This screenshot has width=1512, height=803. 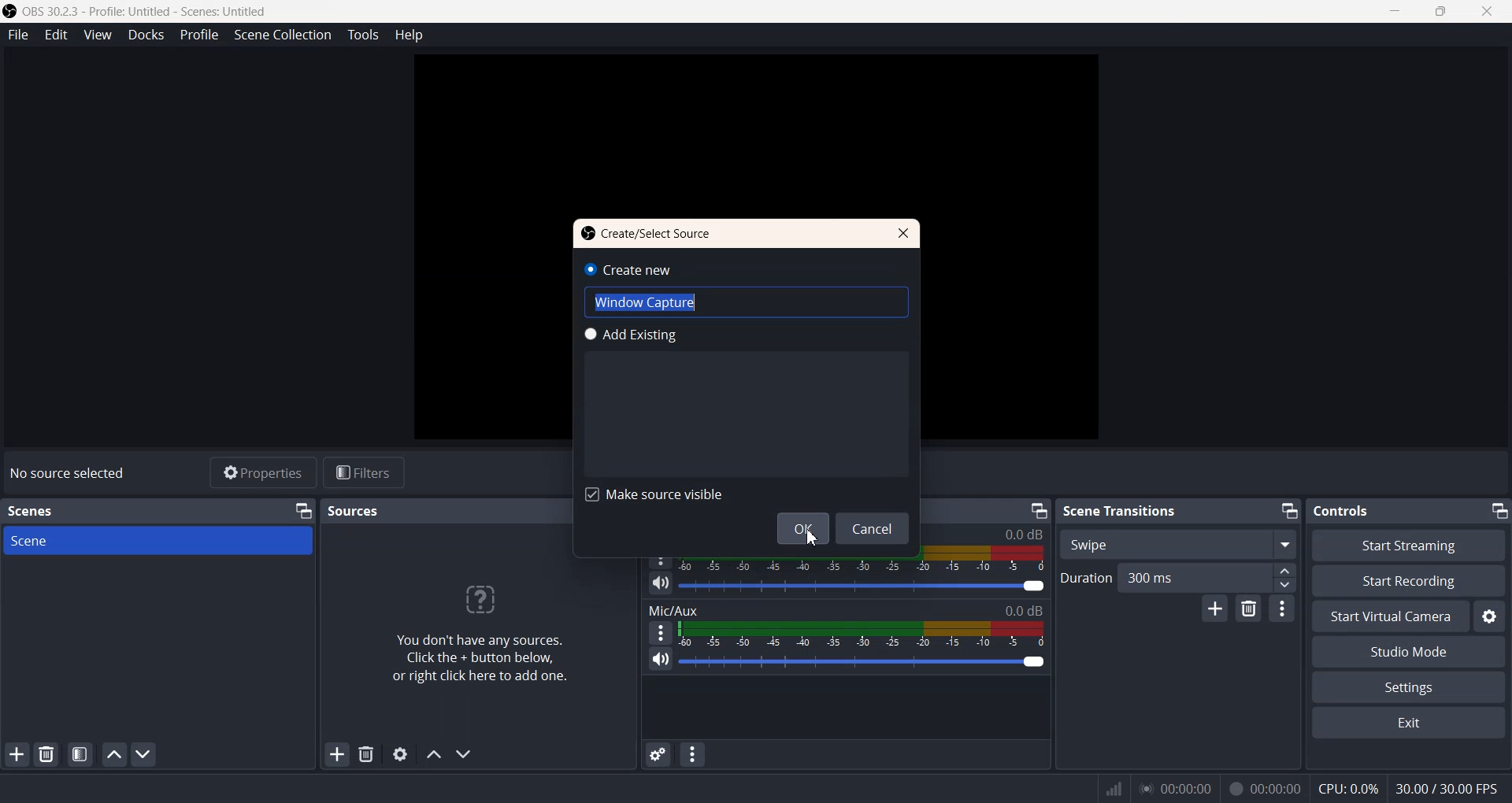 What do you see at coordinates (656, 493) in the screenshot?
I see `Make source visible` at bounding box center [656, 493].